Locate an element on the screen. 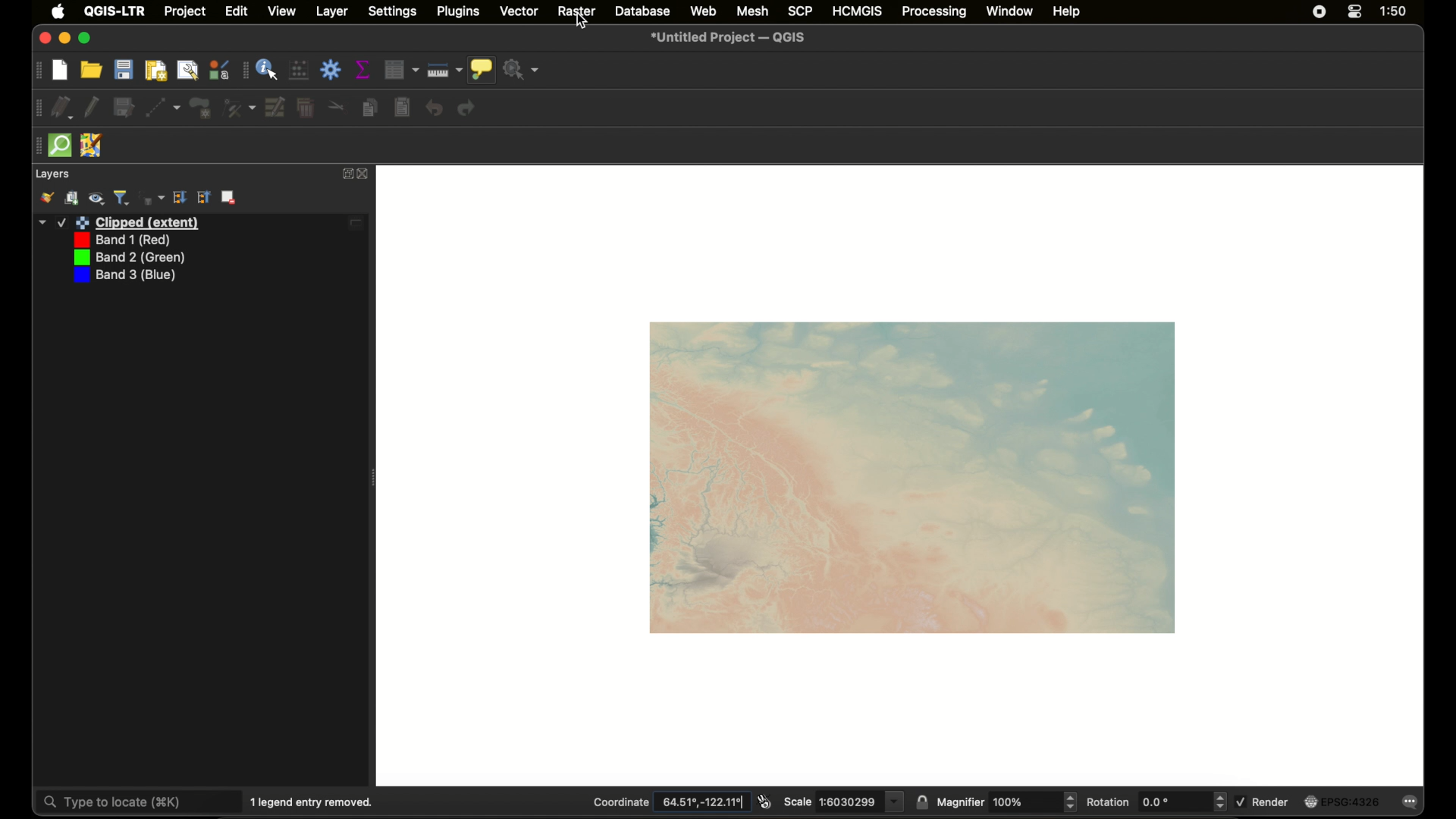 Image resolution: width=1456 pixels, height=819 pixels. apple icon is located at coordinates (58, 11).